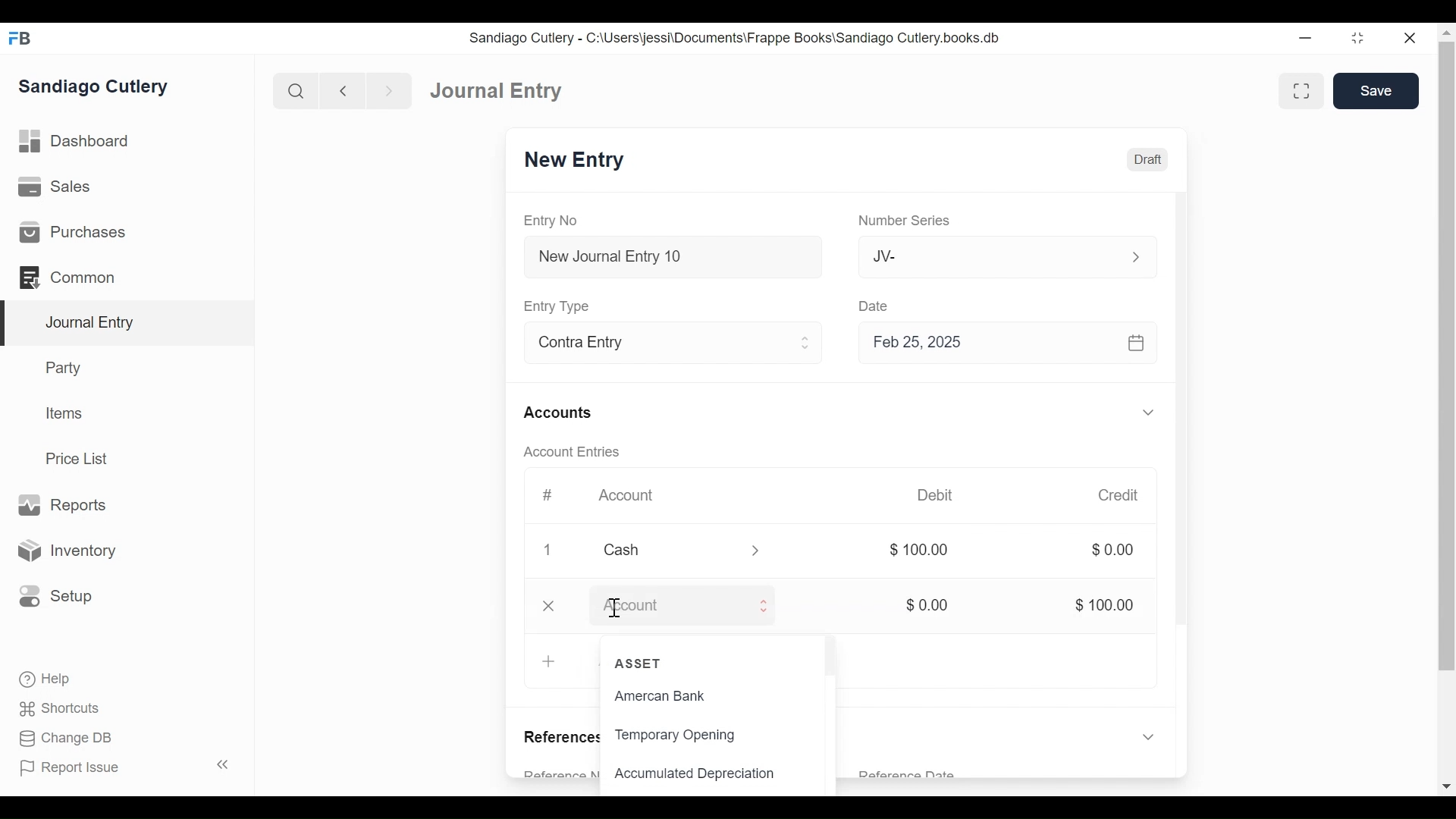 Image resolution: width=1456 pixels, height=819 pixels. What do you see at coordinates (940, 494) in the screenshot?
I see `Debit` at bounding box center [940, 494].